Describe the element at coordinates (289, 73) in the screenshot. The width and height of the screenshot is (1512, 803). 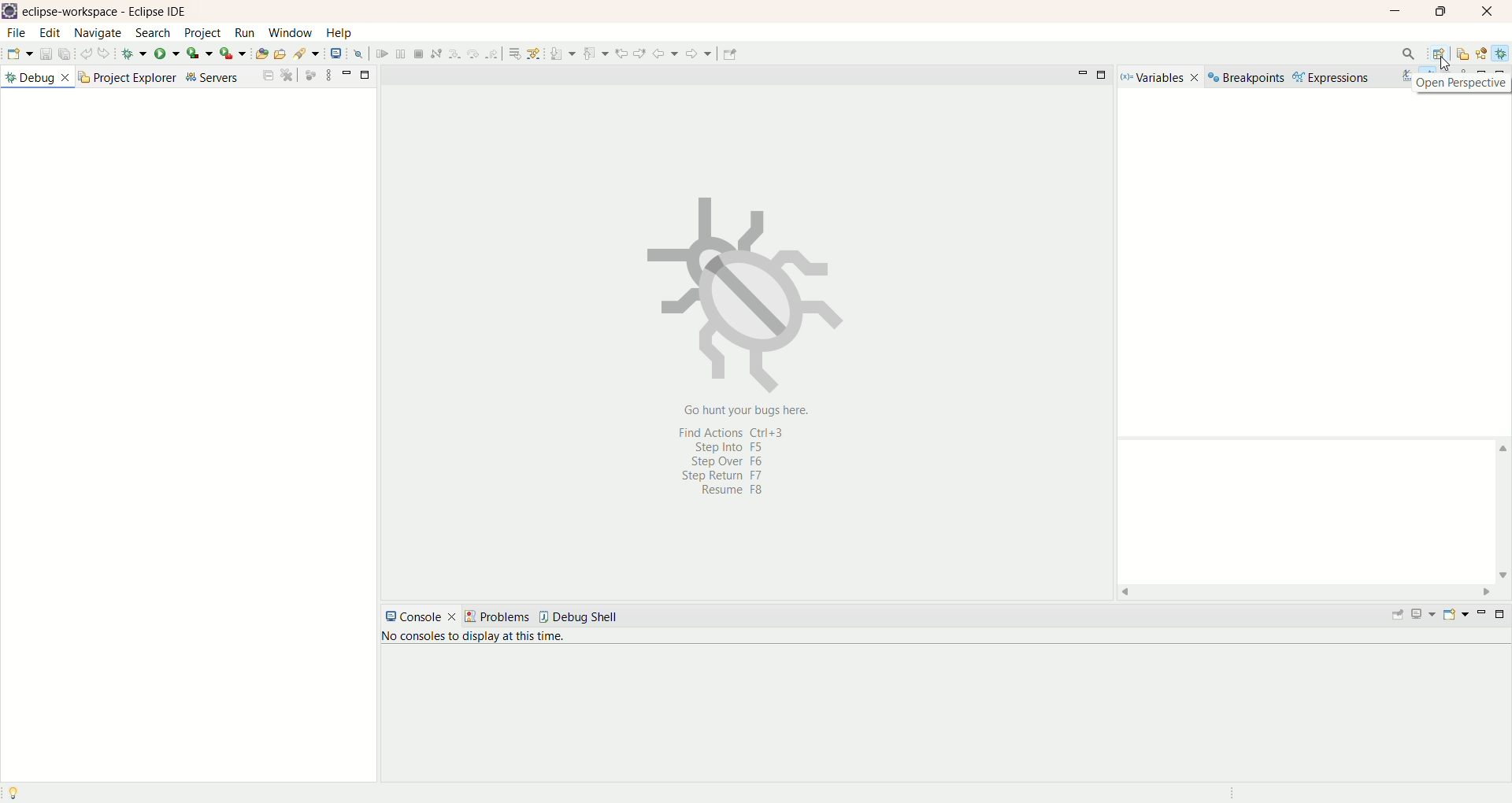
I see `maximize` at that location.